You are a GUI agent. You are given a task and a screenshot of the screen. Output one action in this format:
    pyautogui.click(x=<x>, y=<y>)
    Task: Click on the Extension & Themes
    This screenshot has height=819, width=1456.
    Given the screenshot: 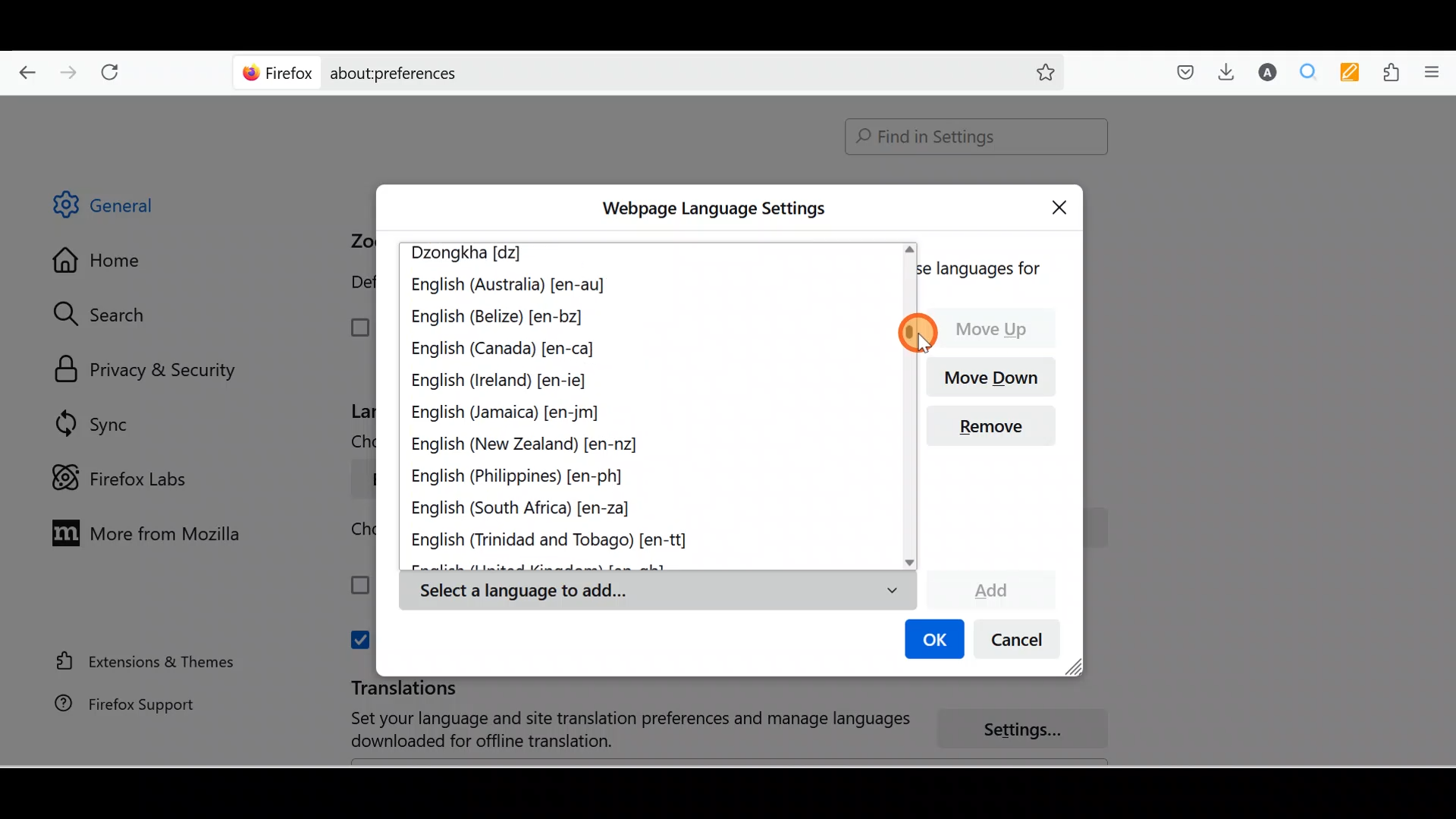 What is the action you would take?
    pyautogui.click(x=138, y=661)
    